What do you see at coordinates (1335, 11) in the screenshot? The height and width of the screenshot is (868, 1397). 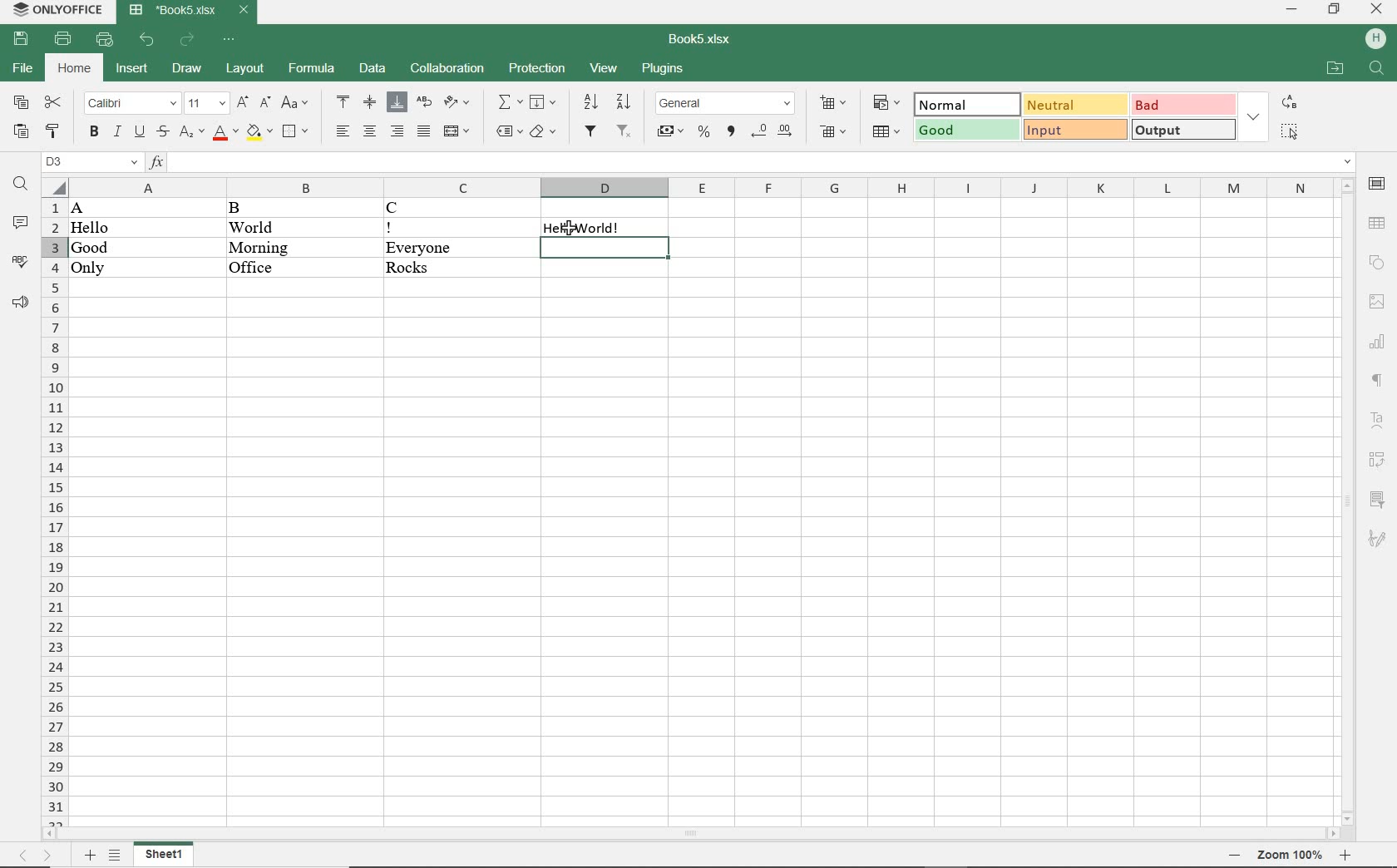 I see `RESTORE DOWN` at bounding box center [1335, 11].